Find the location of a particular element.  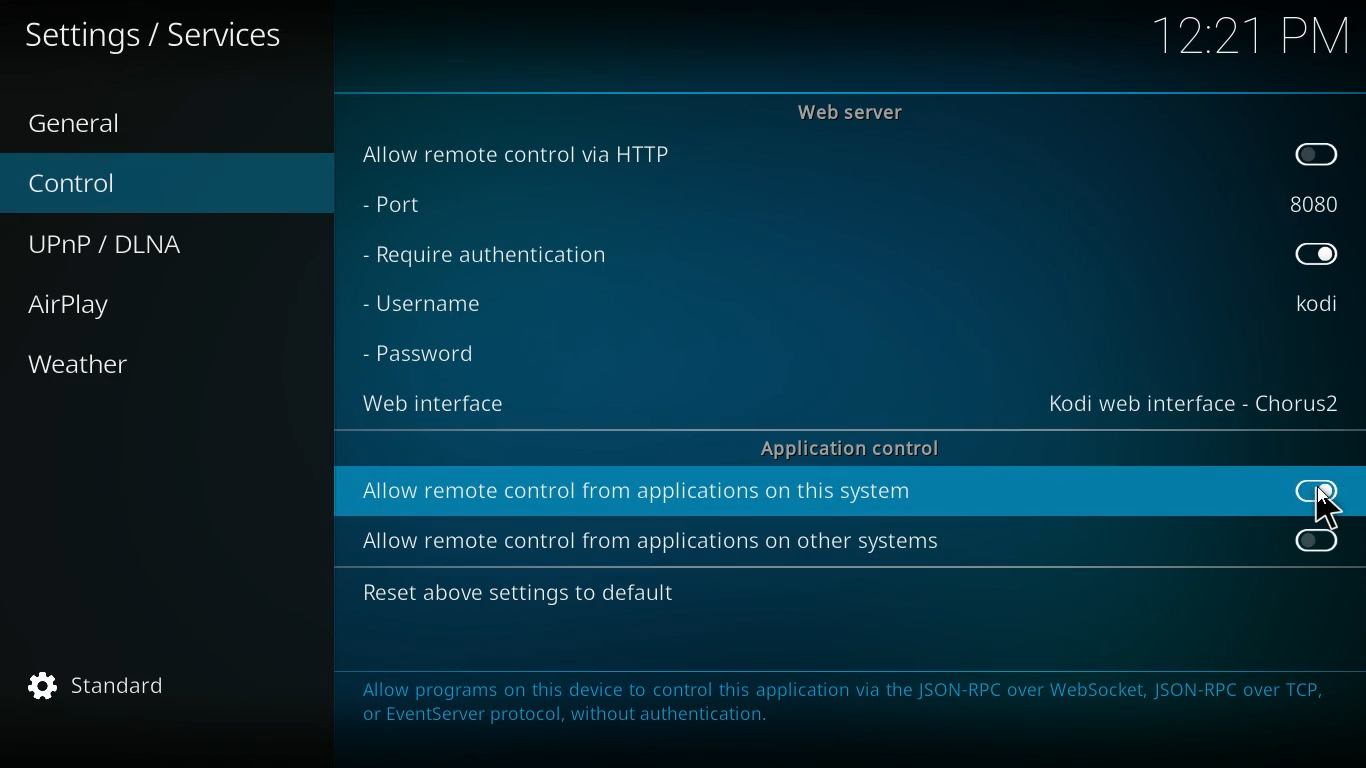

web interface is located at coordinates (1192, 402).